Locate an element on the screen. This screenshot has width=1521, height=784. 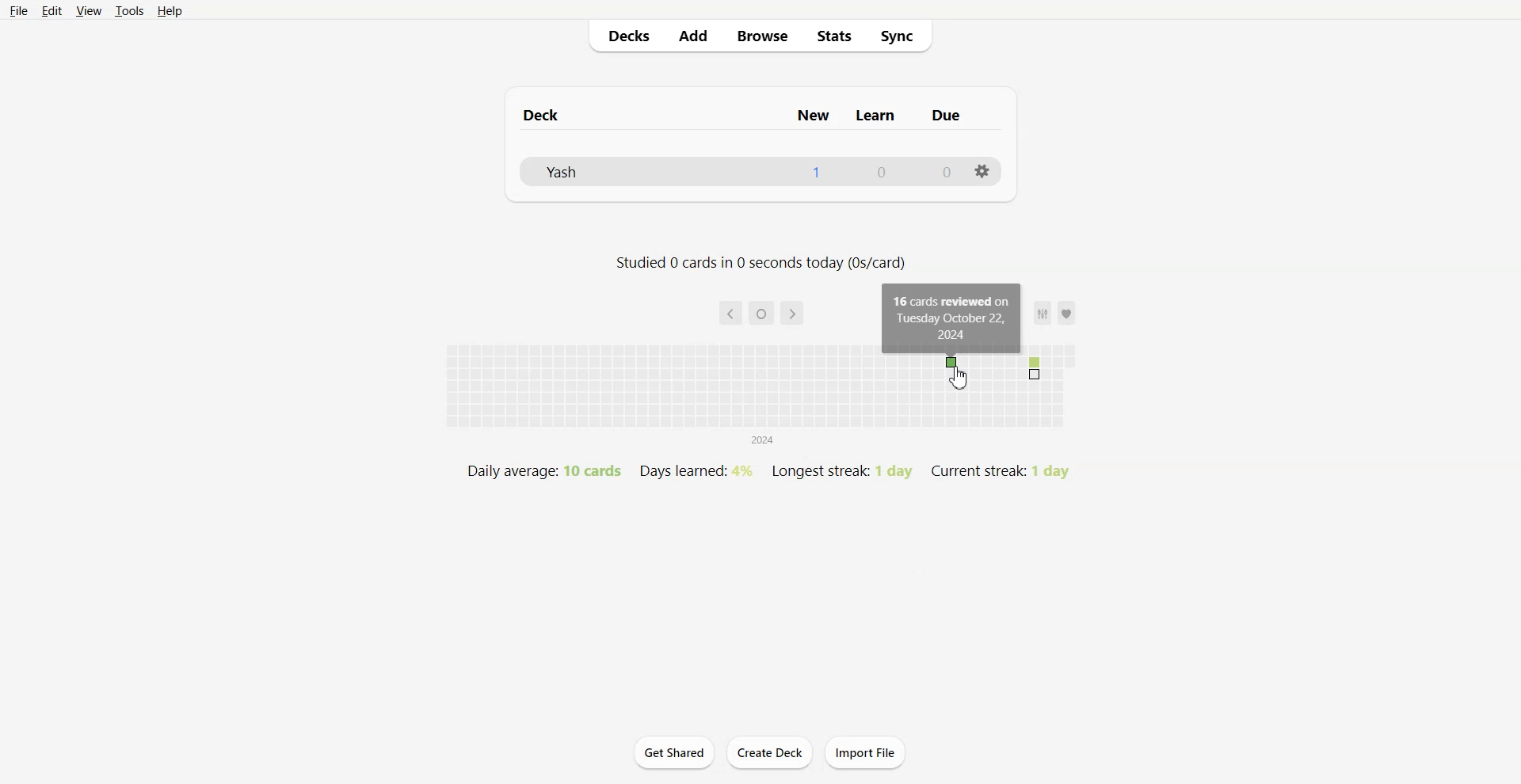
Tools is located at coordinates (129, 11).